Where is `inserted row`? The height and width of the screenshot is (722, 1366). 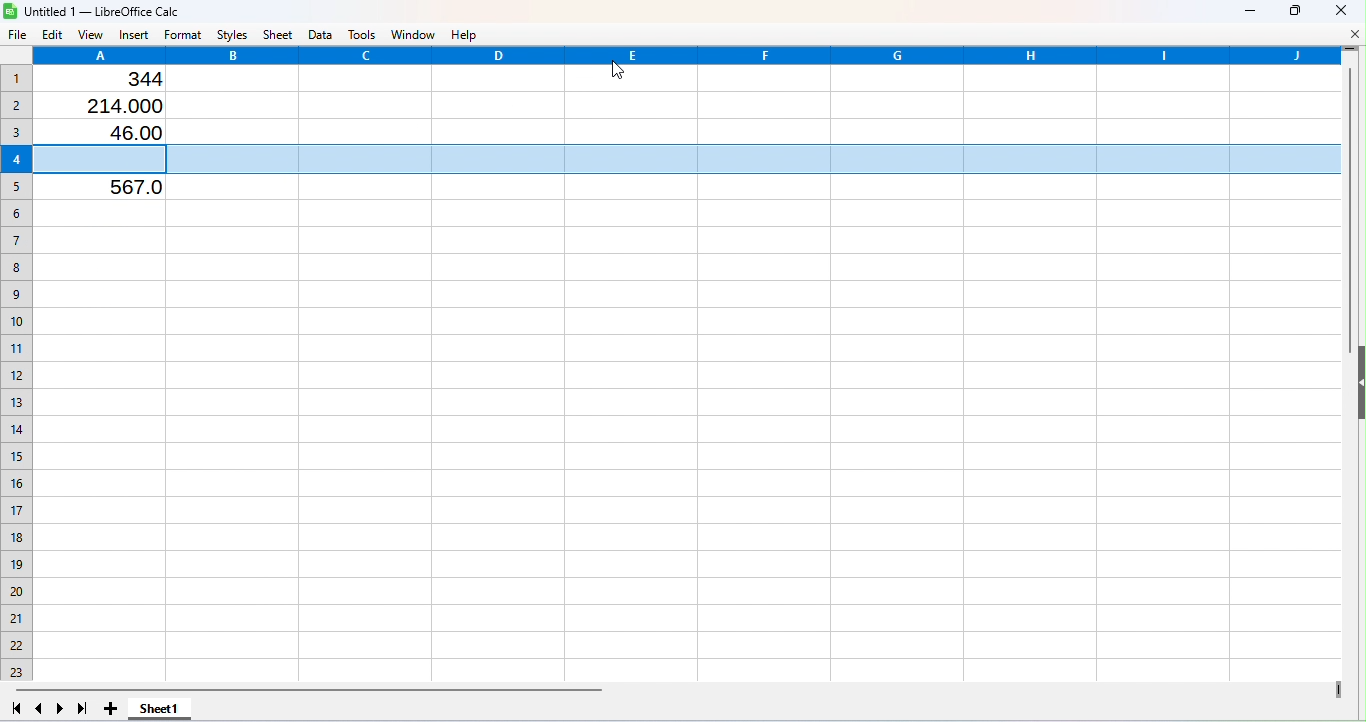
inserted row is located at coordinates (683, 159).